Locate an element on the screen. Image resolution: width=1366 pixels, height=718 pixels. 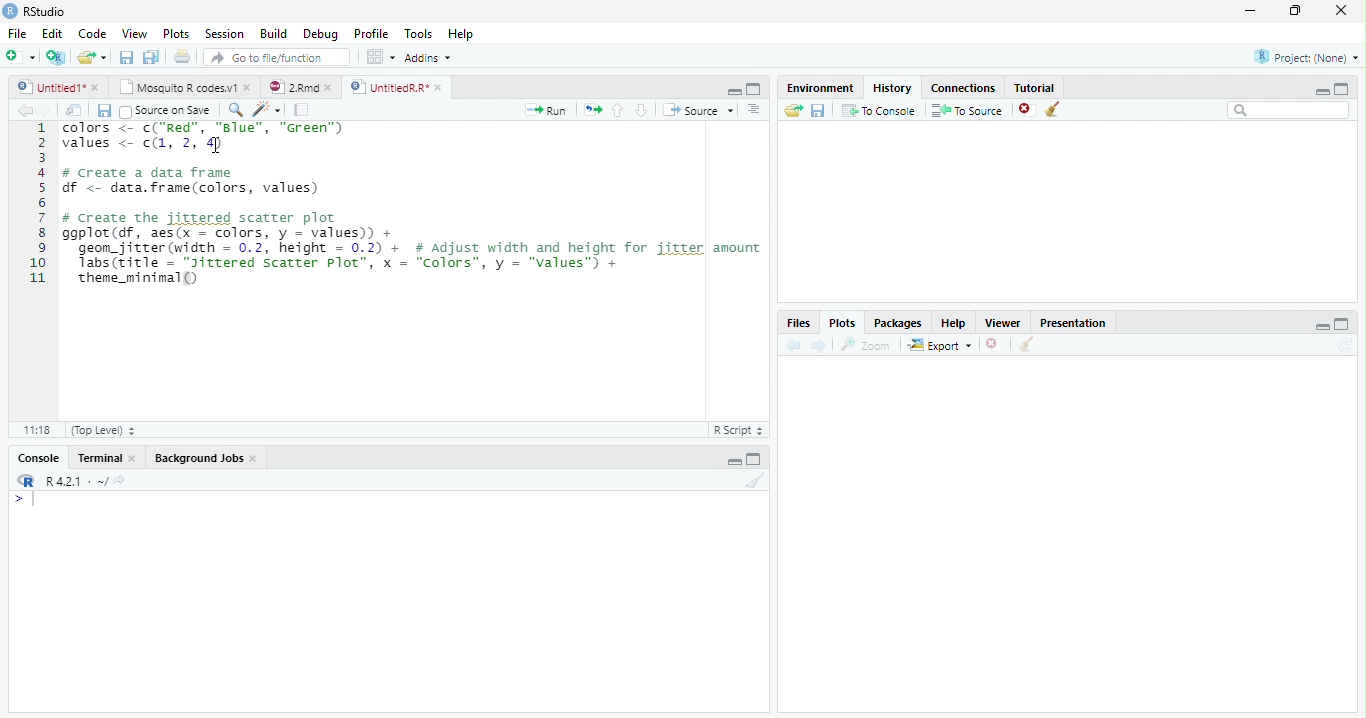
History is located at coordinates (893, 88).